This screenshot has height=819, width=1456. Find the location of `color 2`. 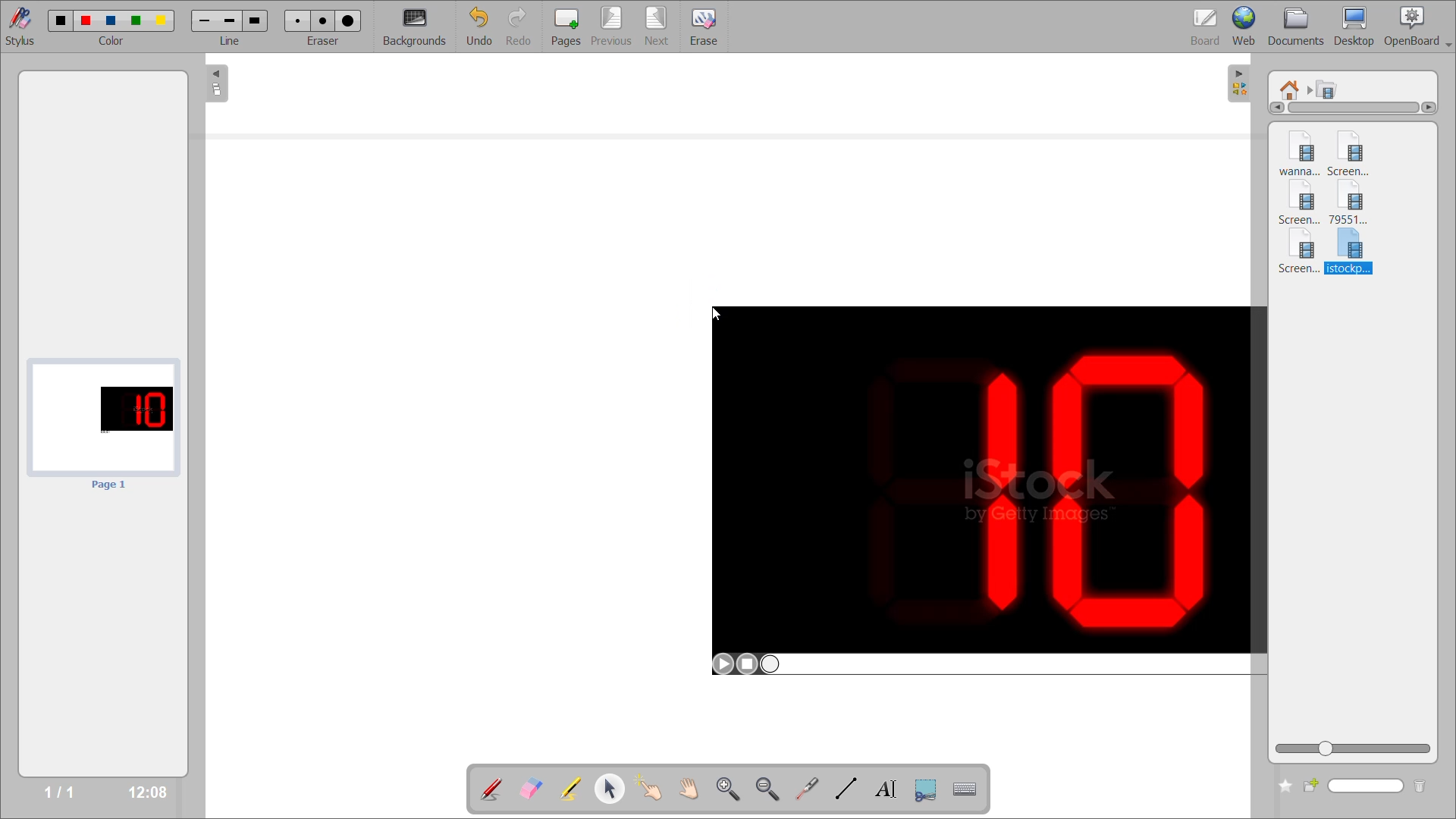

color 2 is located at coordinates (86, 20).